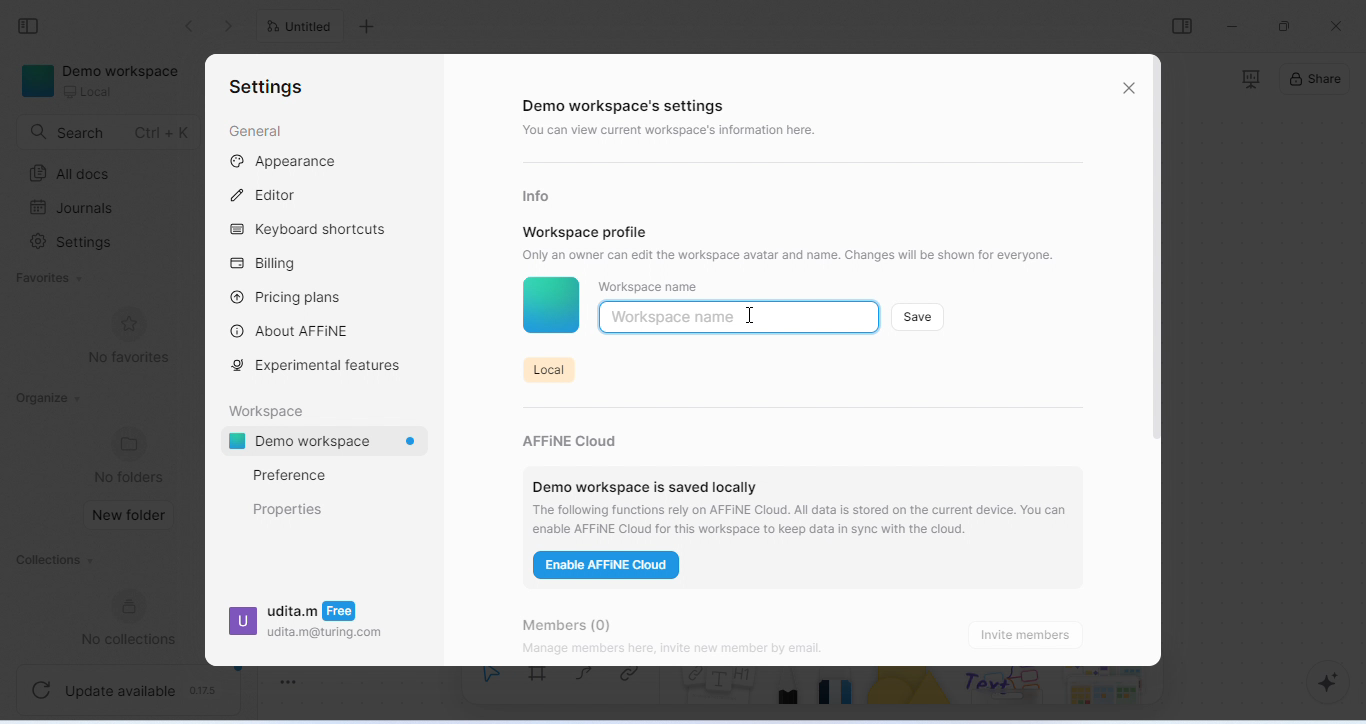 The image size is (1366, 724). What do you see at coordinates (540, 195) in the screenshot?
I see `info` at bounding box center [540, 195].